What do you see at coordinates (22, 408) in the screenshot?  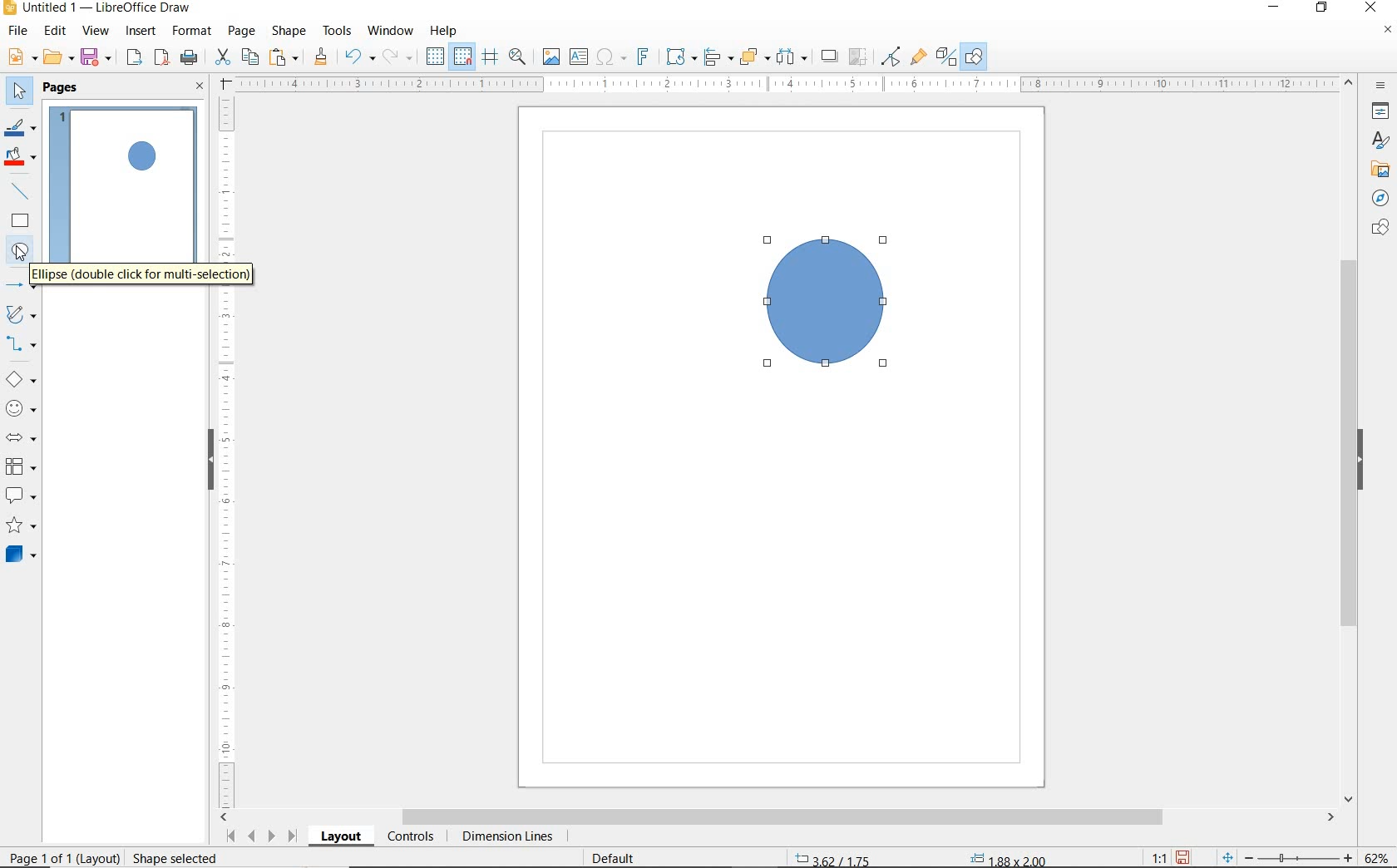 I see `SYMBOL SHAPES` at bounding box center [22, 408].